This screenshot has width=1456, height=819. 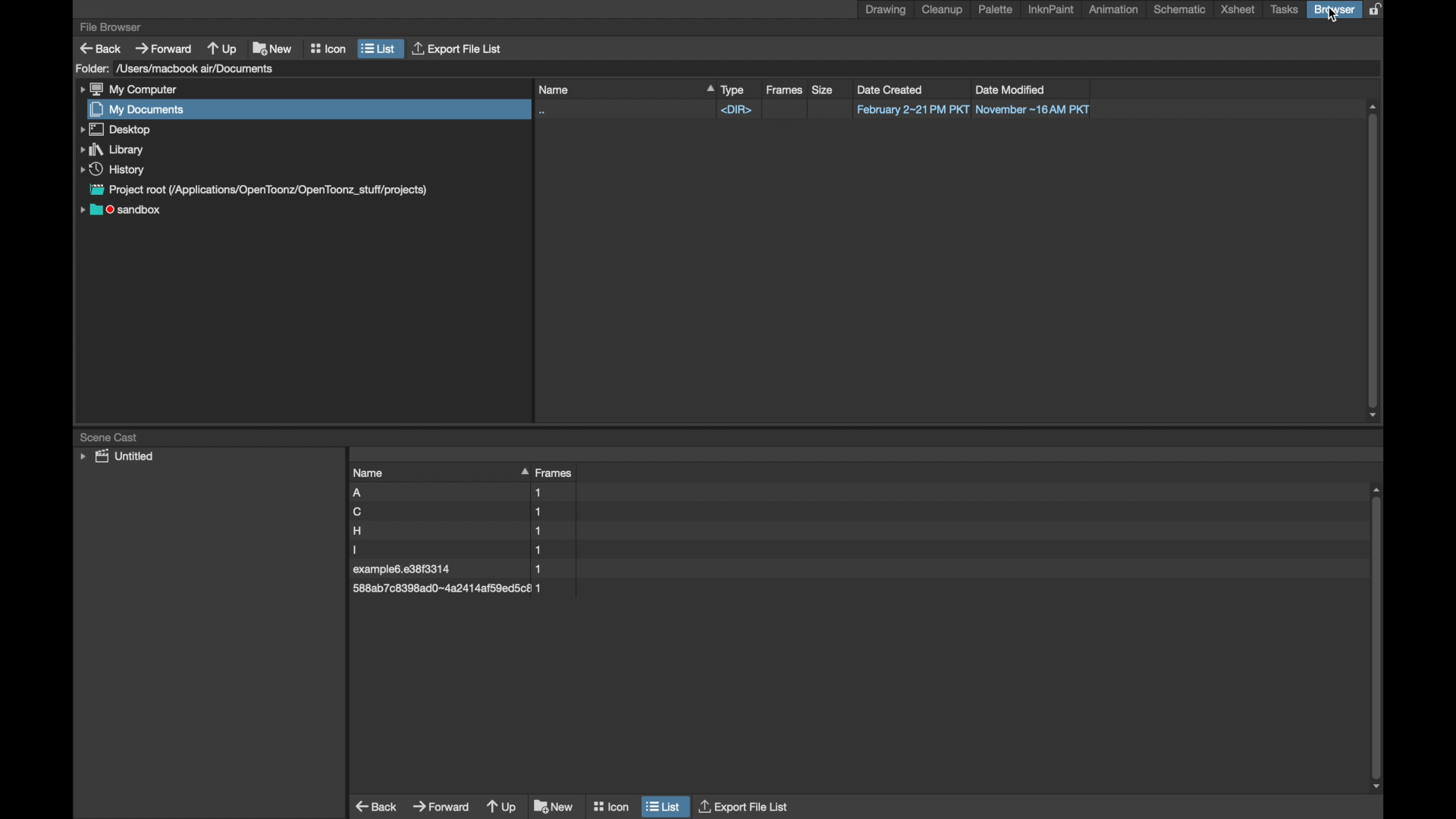 I want to click on file browser, so click(x=111, y=27).